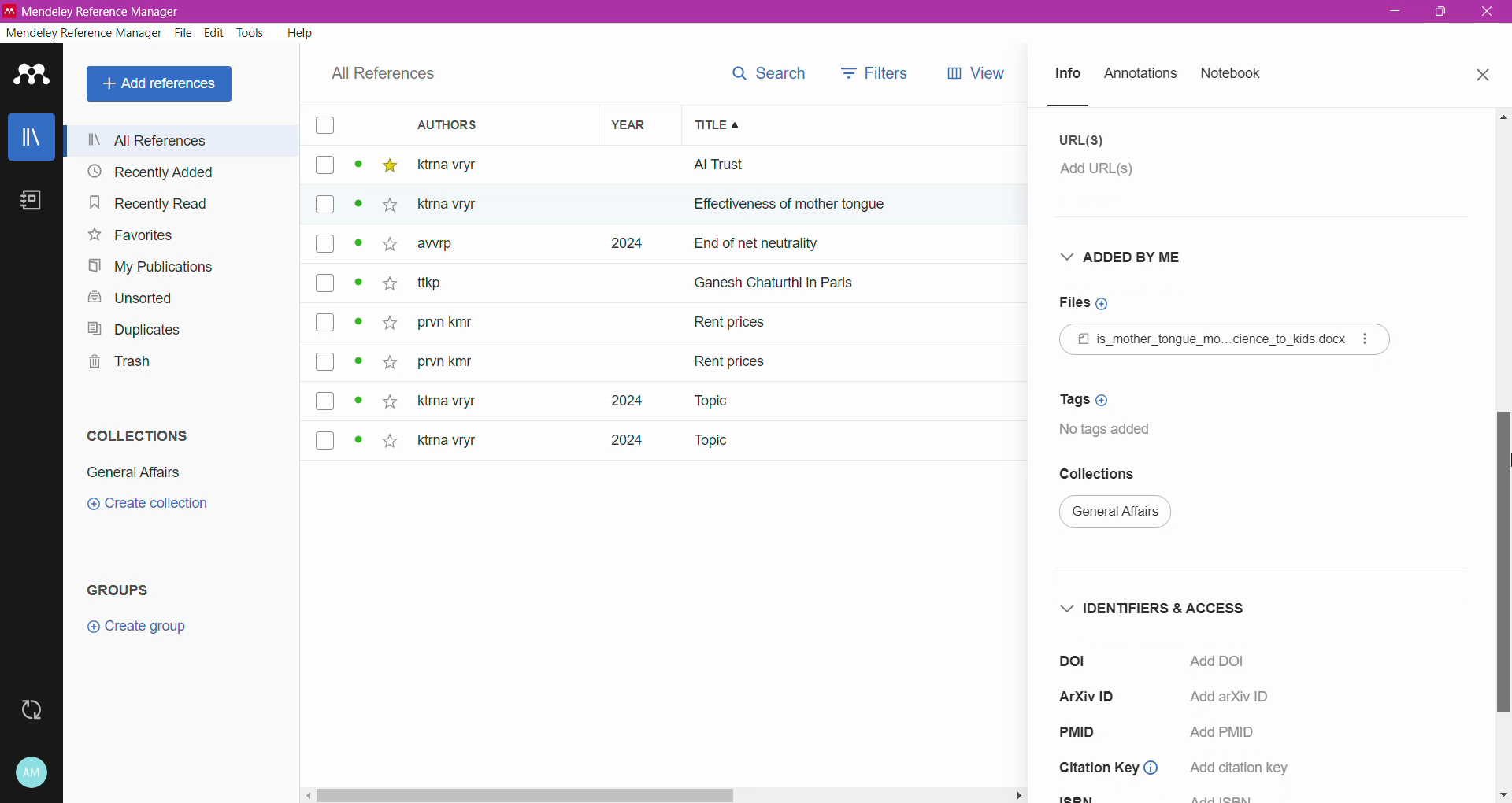 The width and height of the screenshot is (1512, 803). I want to click on ktna vryt , so click(443, 402).